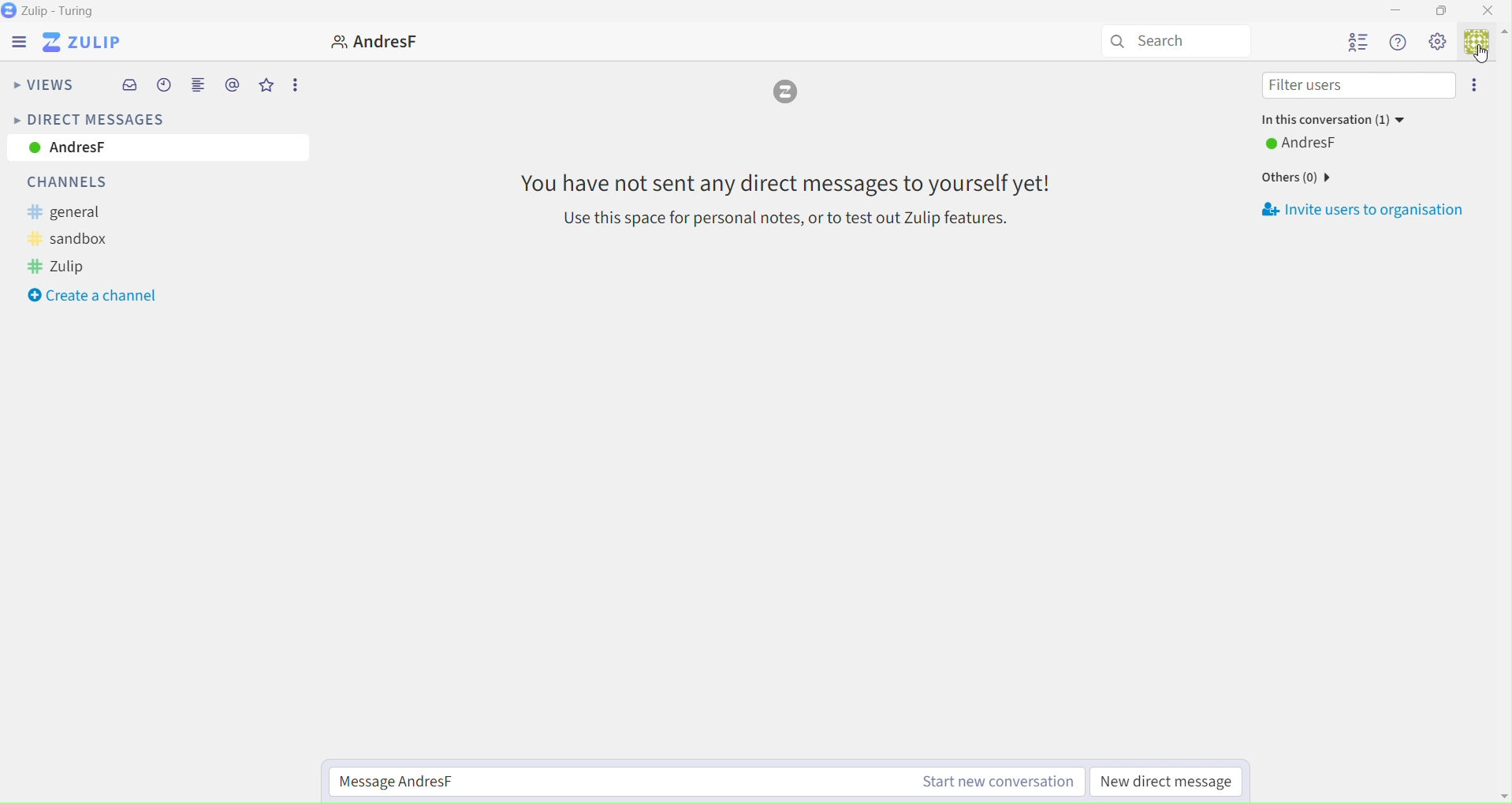 This screenshot has height=803, width=1512. What do you see at coordinates (55, 11) in the screenshot?
I see `Zulip` at bounding box center [55, 11].